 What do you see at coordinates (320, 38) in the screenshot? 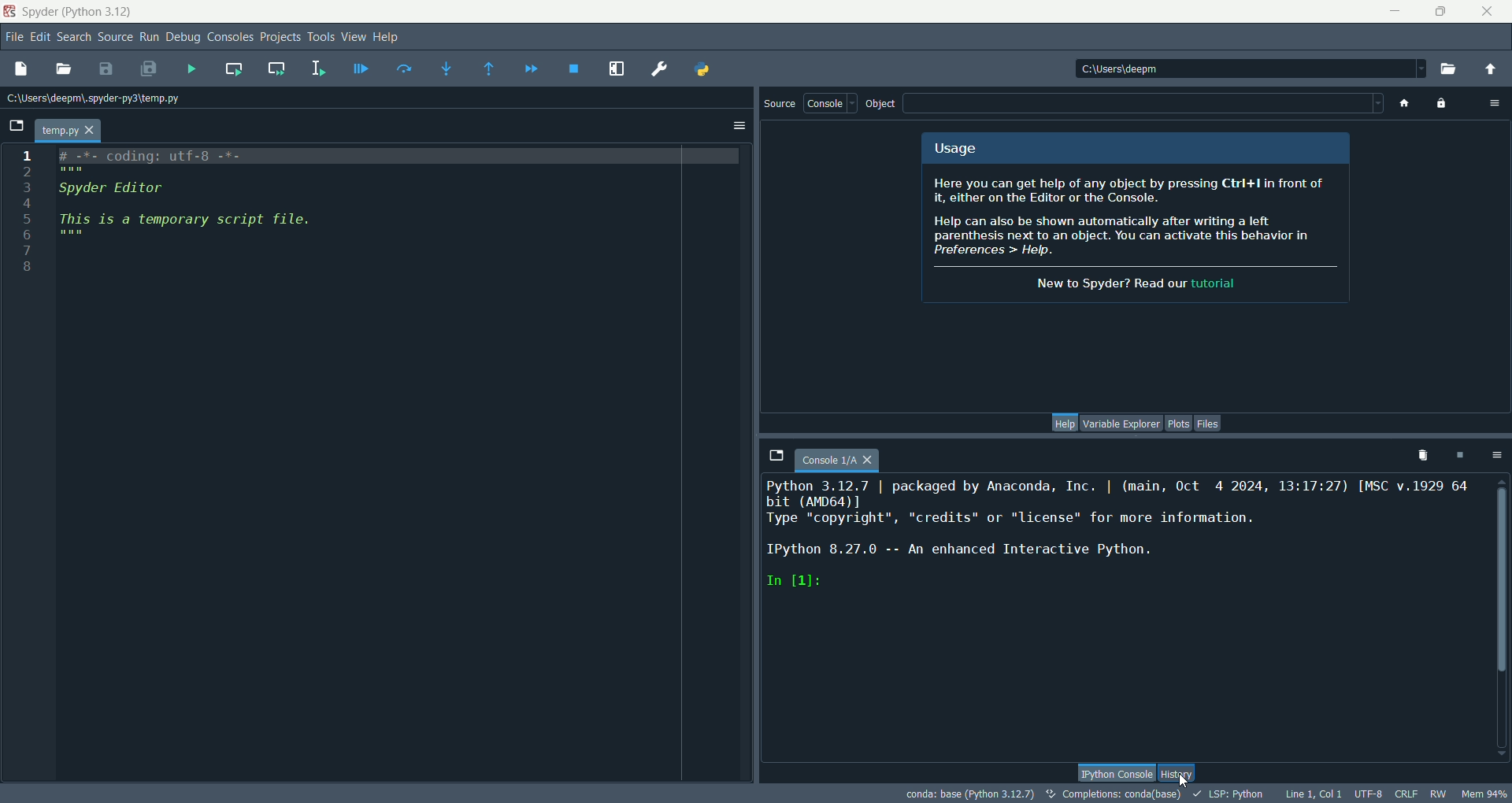
I see `tools` at bounding box center [320, 38].